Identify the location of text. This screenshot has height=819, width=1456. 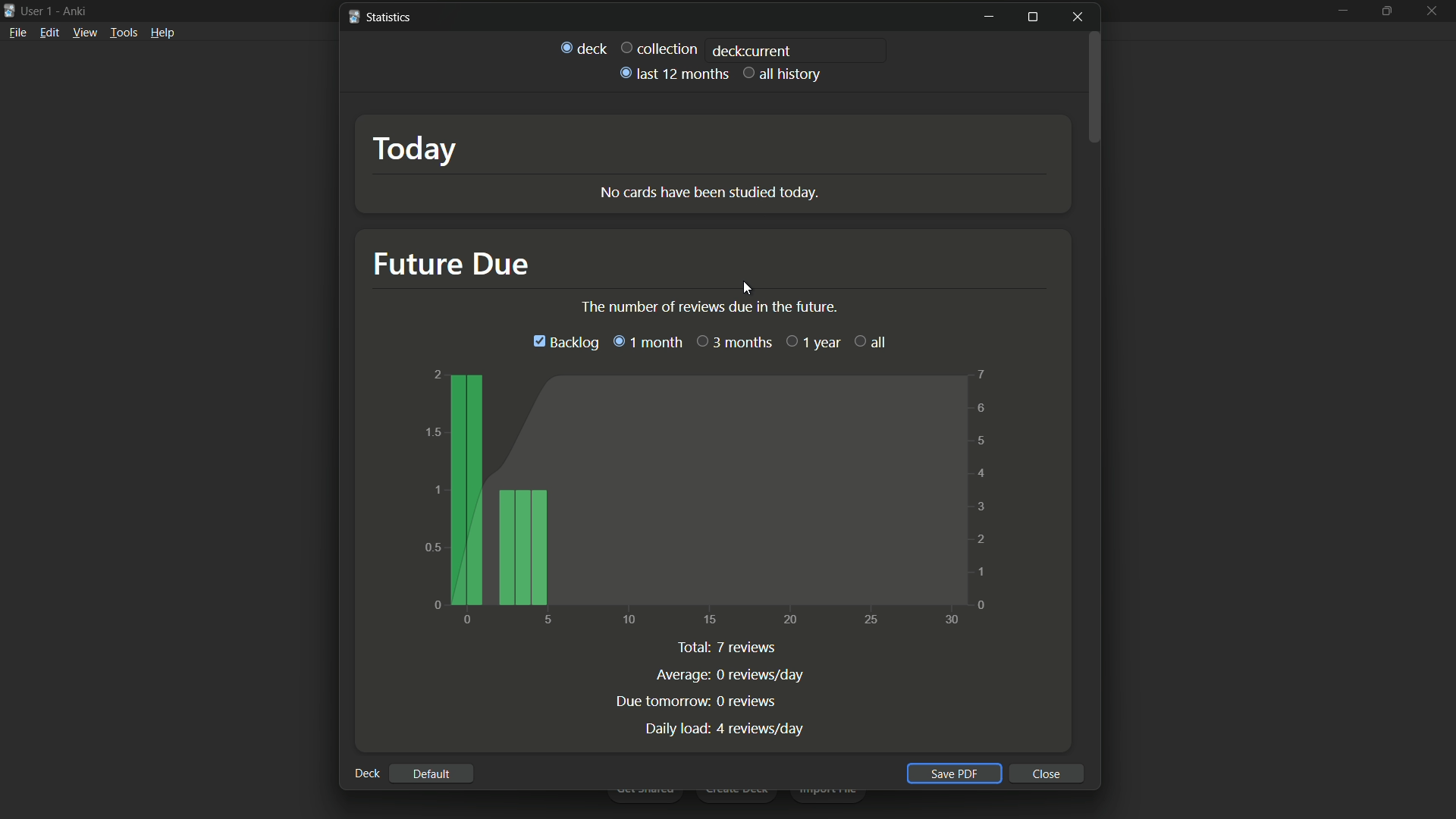
(708, 307).